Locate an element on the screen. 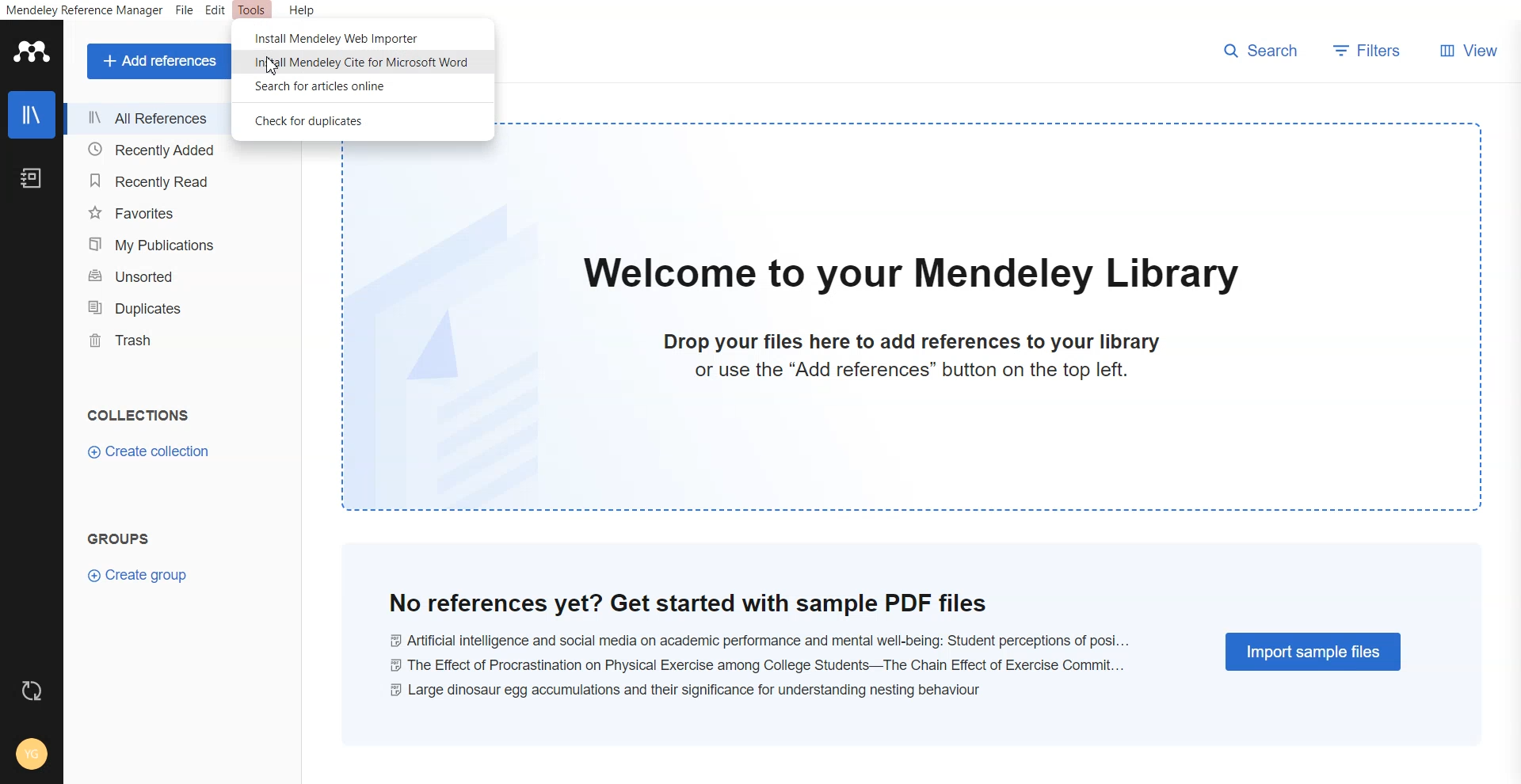  Unsorted is located at coordinates (185, 275).